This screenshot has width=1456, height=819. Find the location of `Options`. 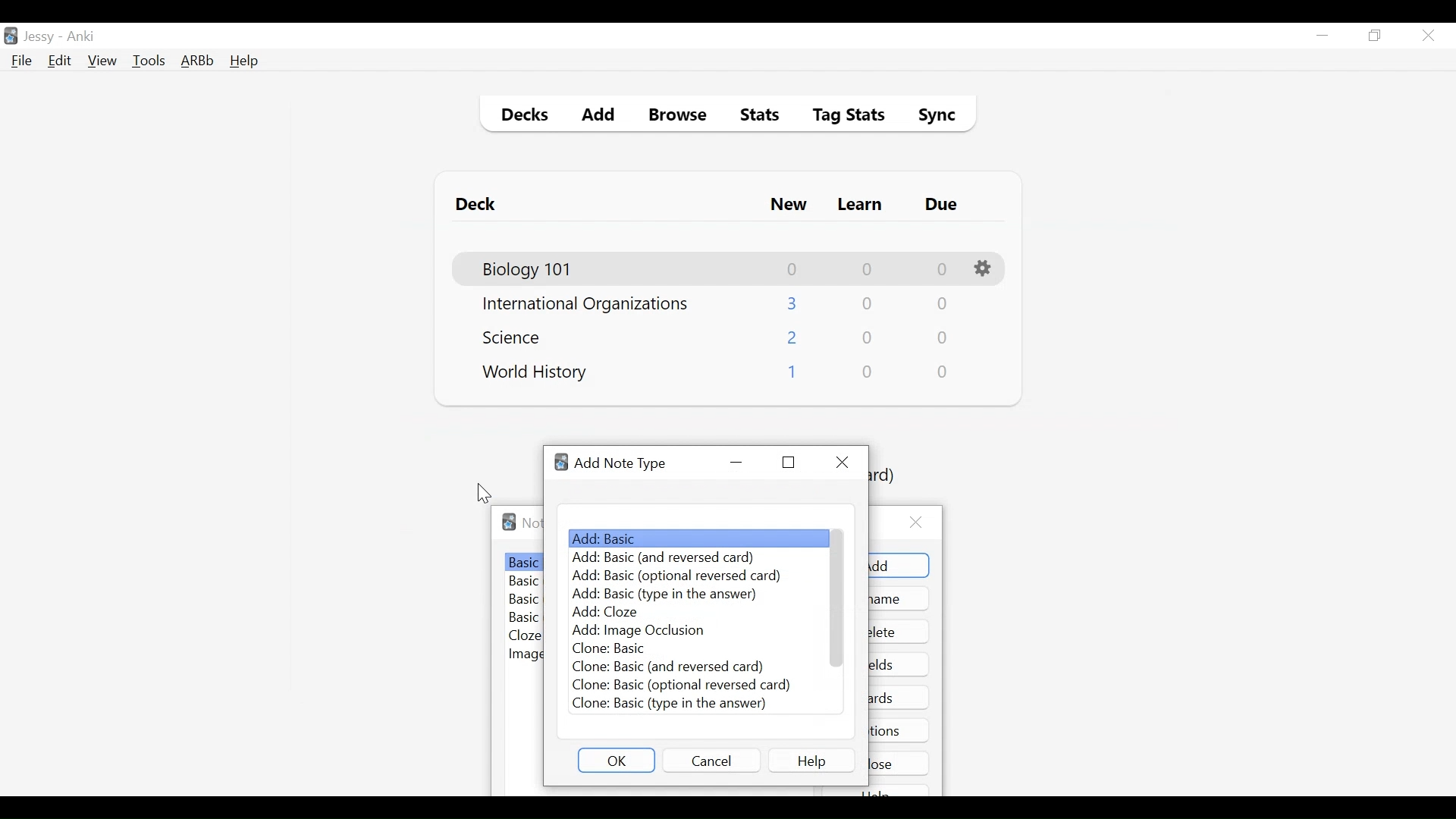

Options is located at coordinates (985, 269).